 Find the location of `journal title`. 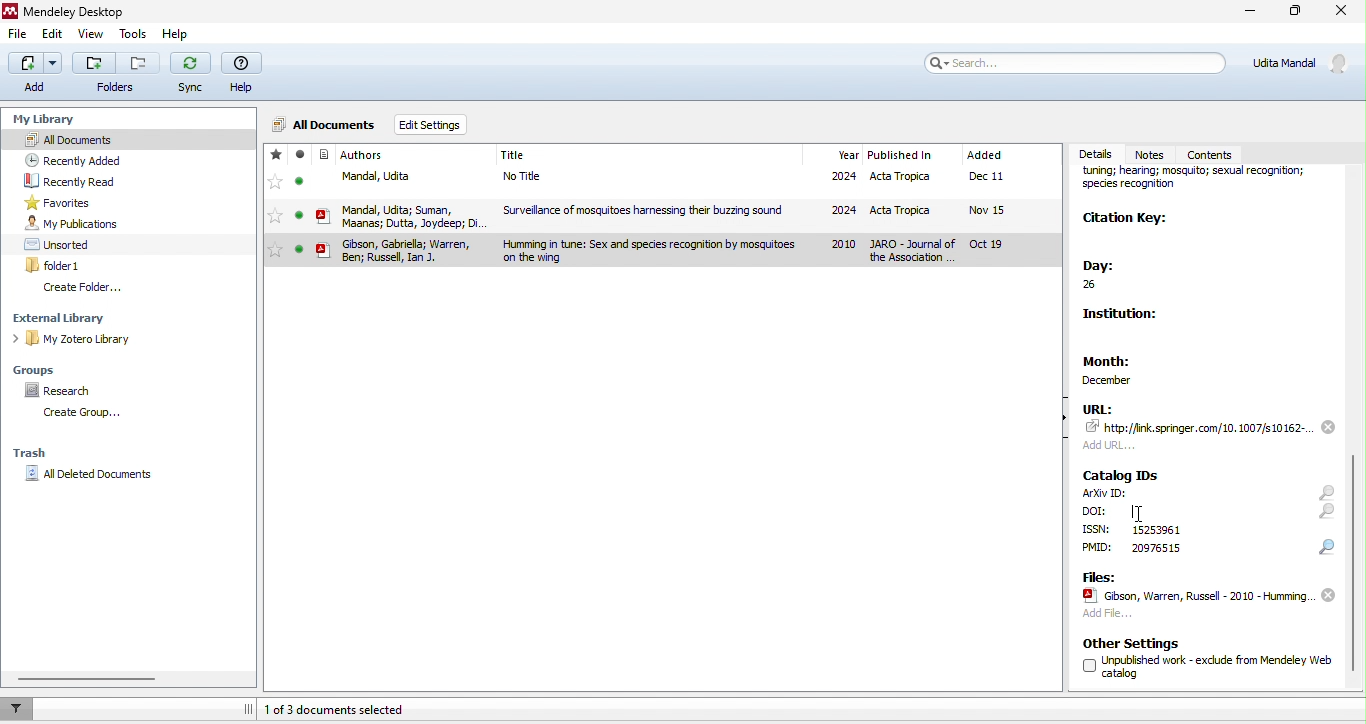

journal title is located at coordinates (514, 156).